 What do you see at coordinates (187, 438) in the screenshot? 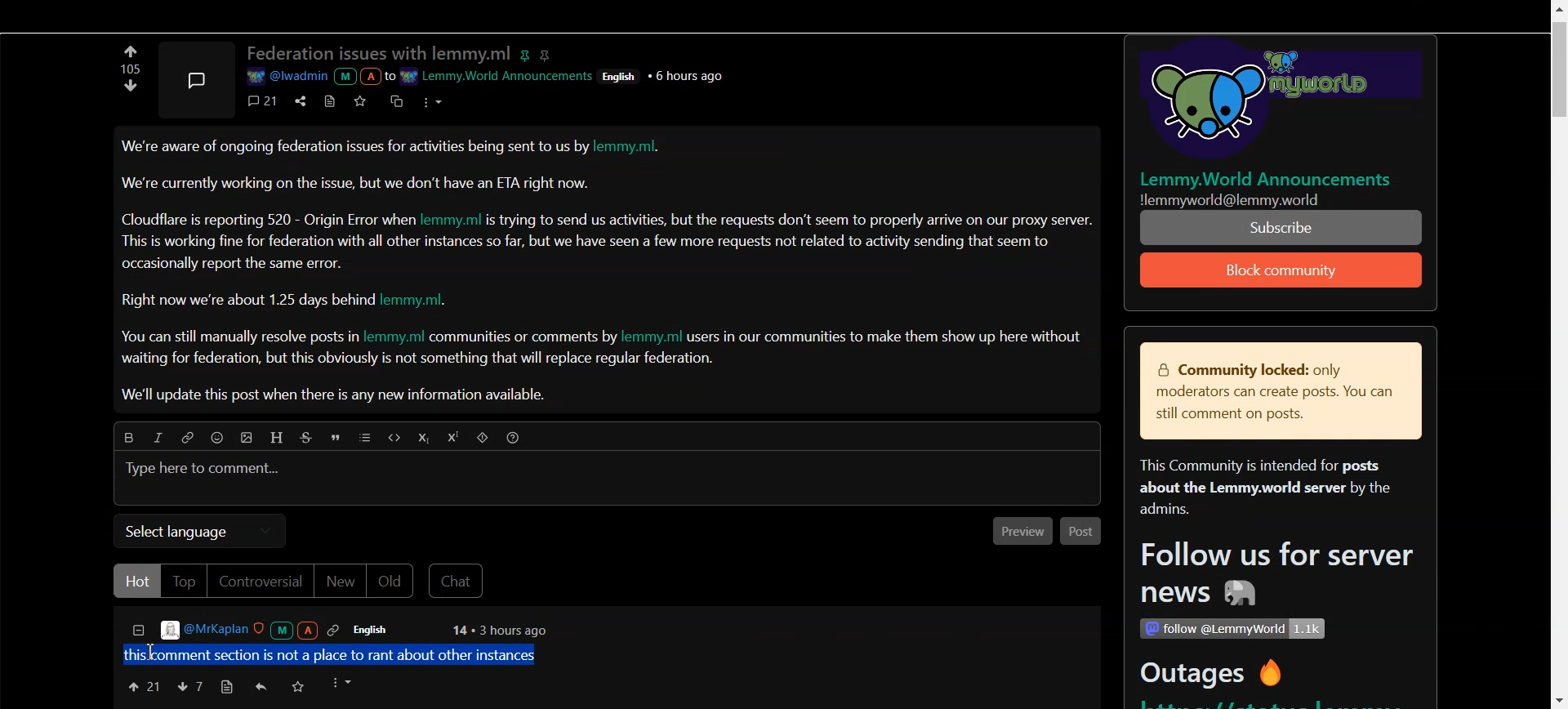
I see `Hyperlink` at bounding box center [187, 438].